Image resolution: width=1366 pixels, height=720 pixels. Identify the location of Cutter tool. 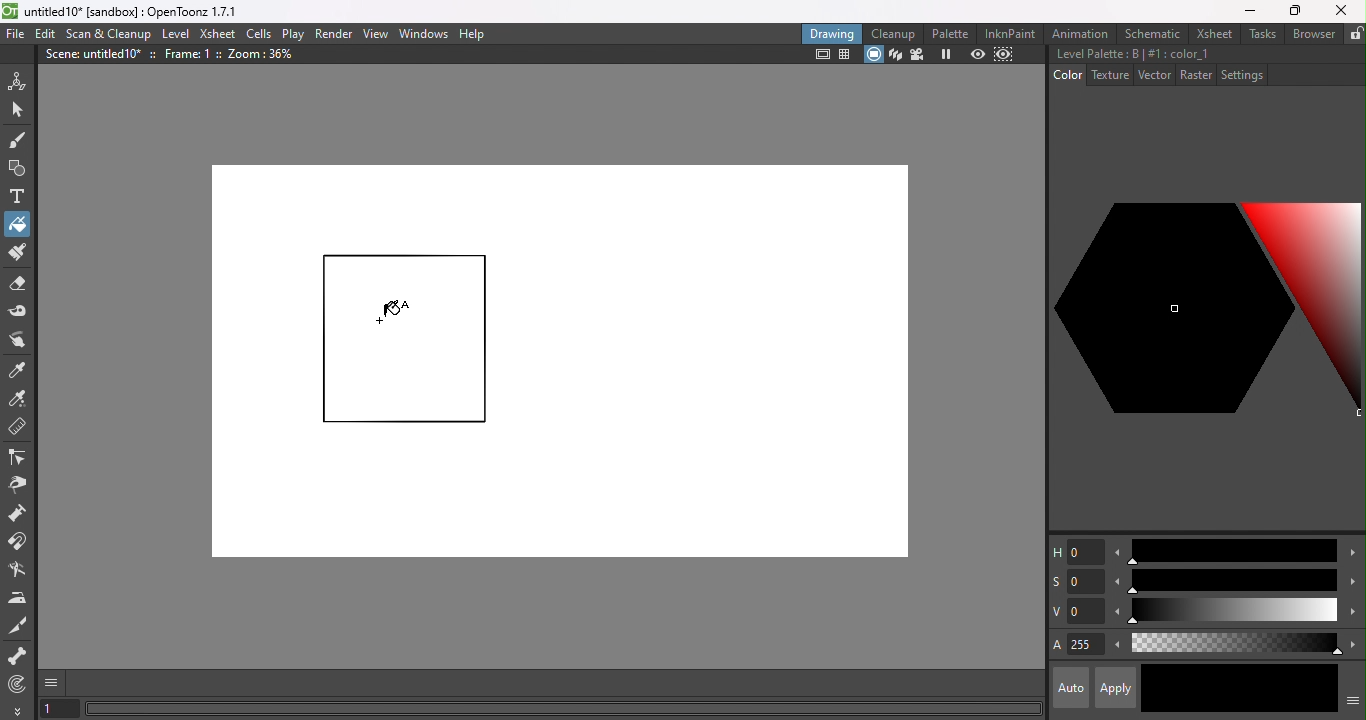
(17, 571).